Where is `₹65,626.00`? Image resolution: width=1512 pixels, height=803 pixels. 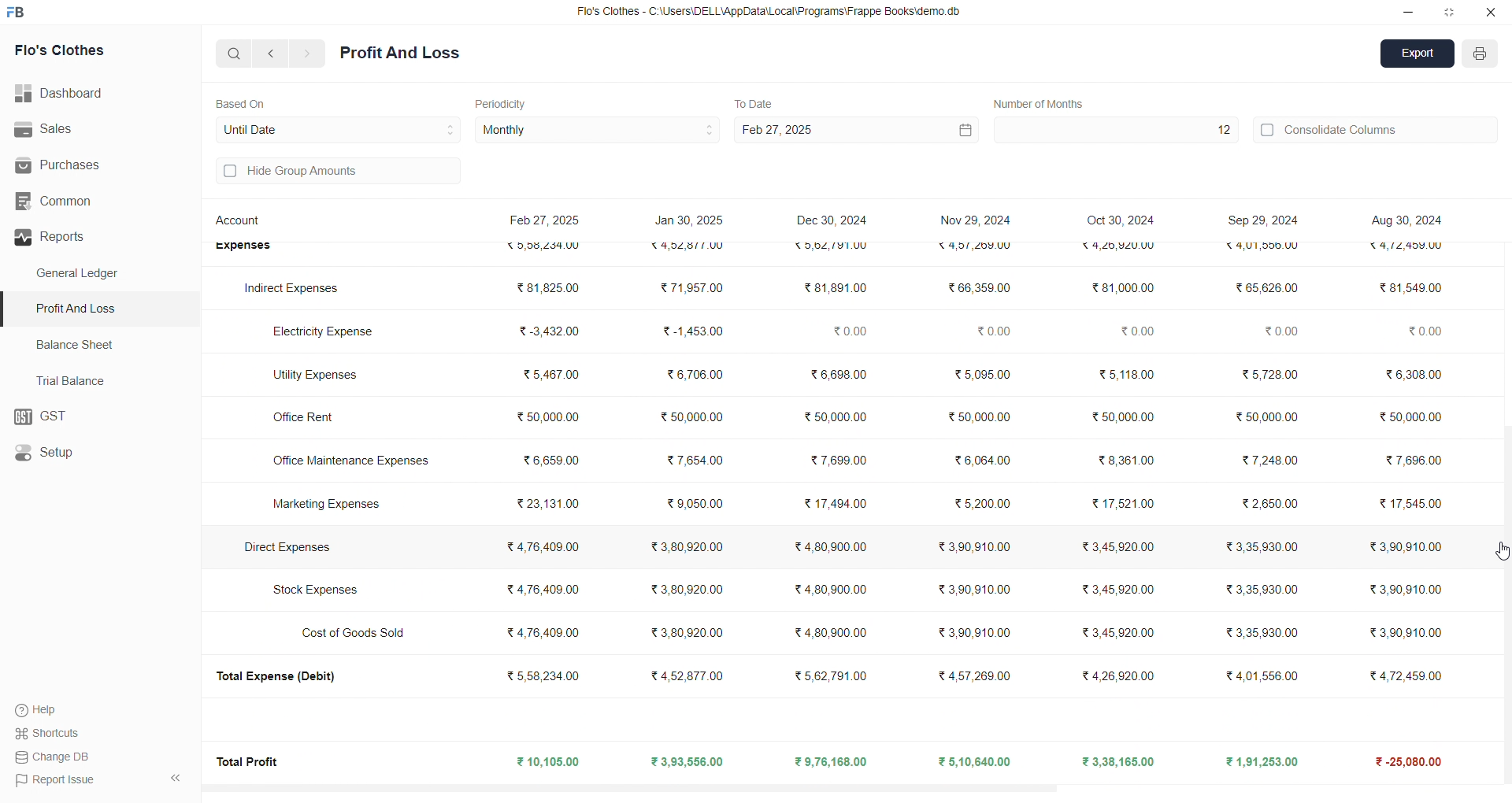 ₹65,626.00 is located at coordinates (1266, 288).